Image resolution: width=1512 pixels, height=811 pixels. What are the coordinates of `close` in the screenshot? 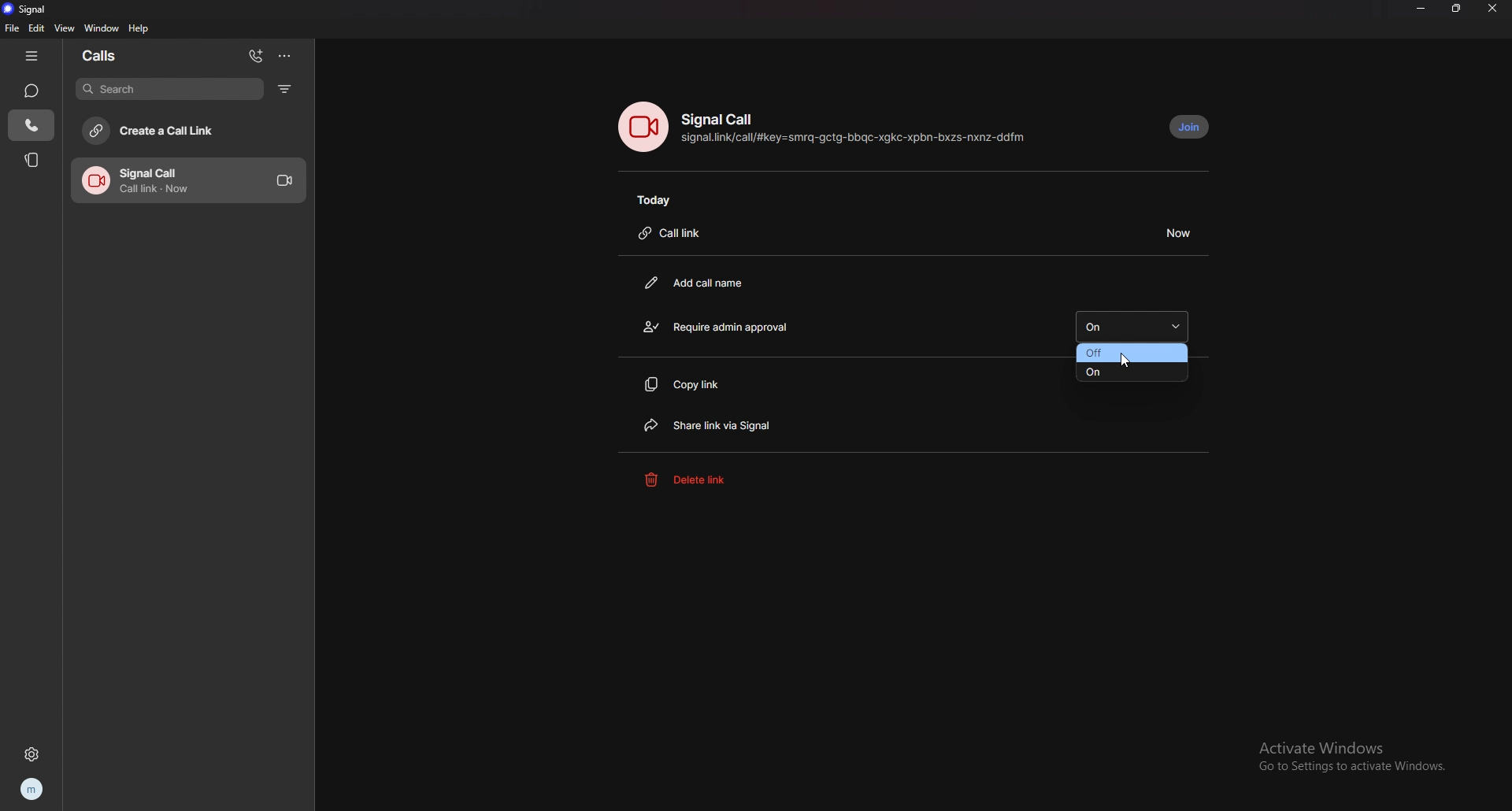 It's located at (1495, 9).